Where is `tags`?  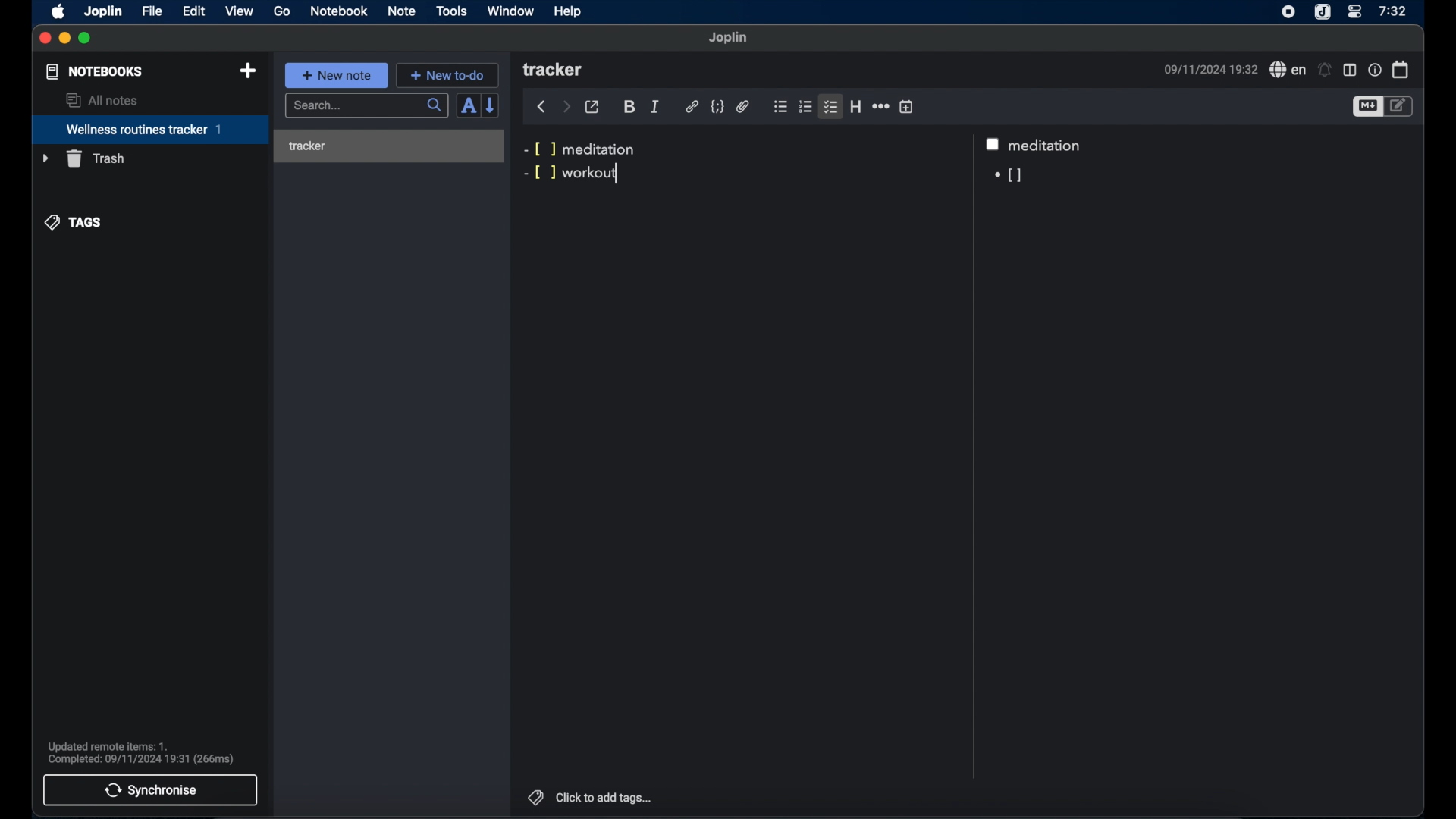
tags is located at coordinates (74, 223).